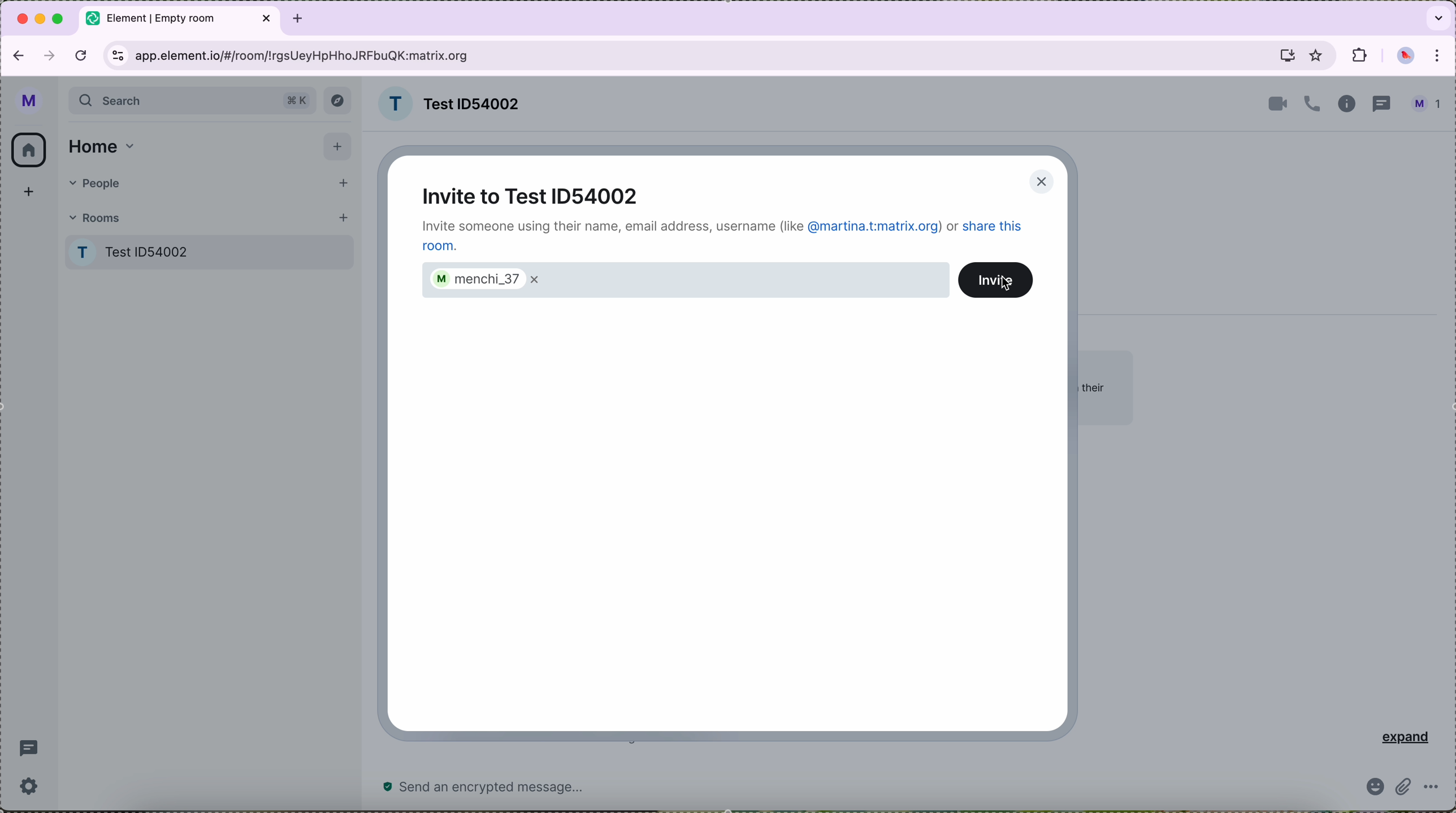  What do you see at coordinates (1382, 103) in the screenshot?
I see `threads` at bounding box center [1382, 103].